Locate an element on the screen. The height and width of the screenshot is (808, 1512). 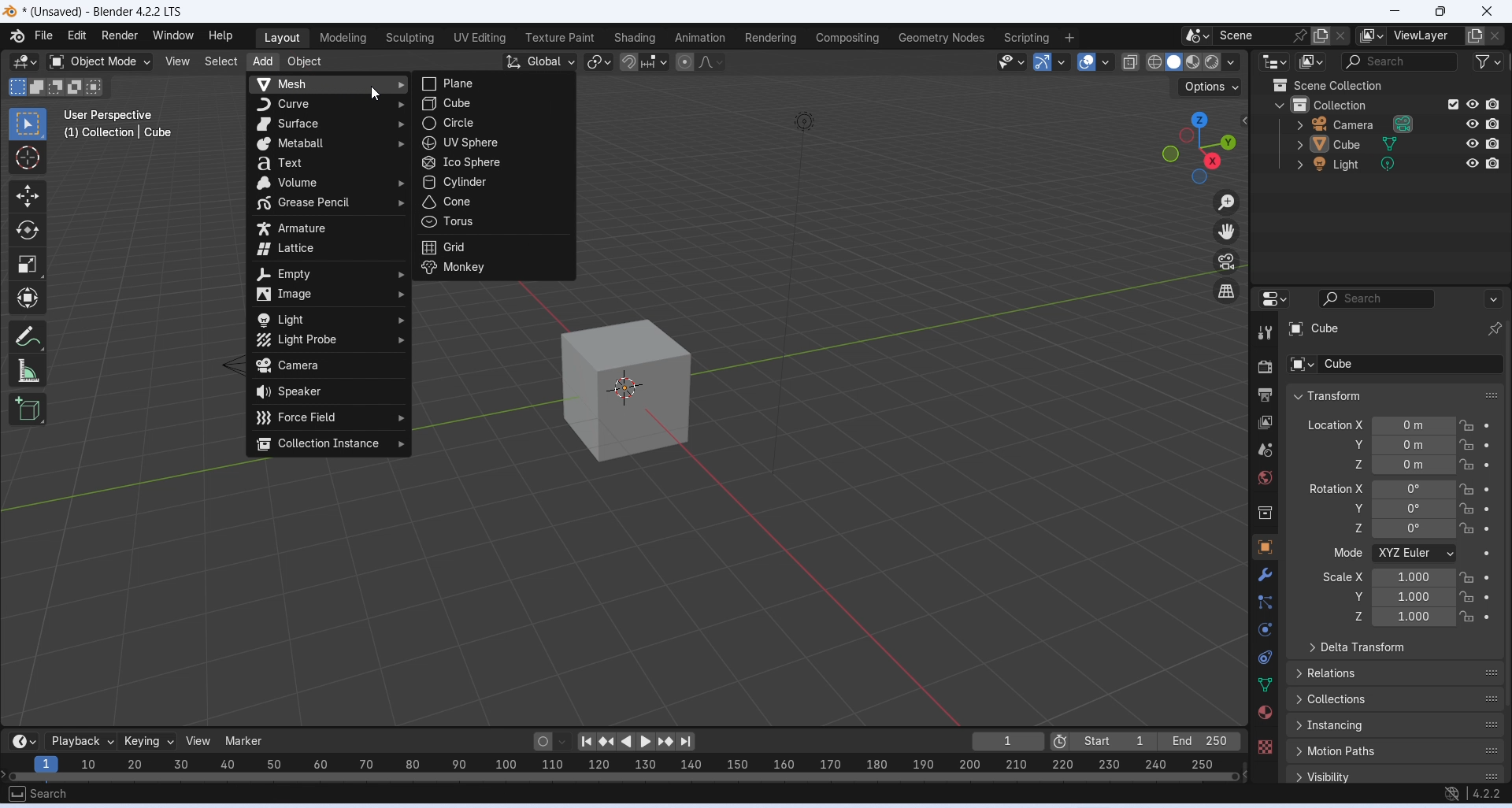
new scene is located at coordinates (1321, 36).